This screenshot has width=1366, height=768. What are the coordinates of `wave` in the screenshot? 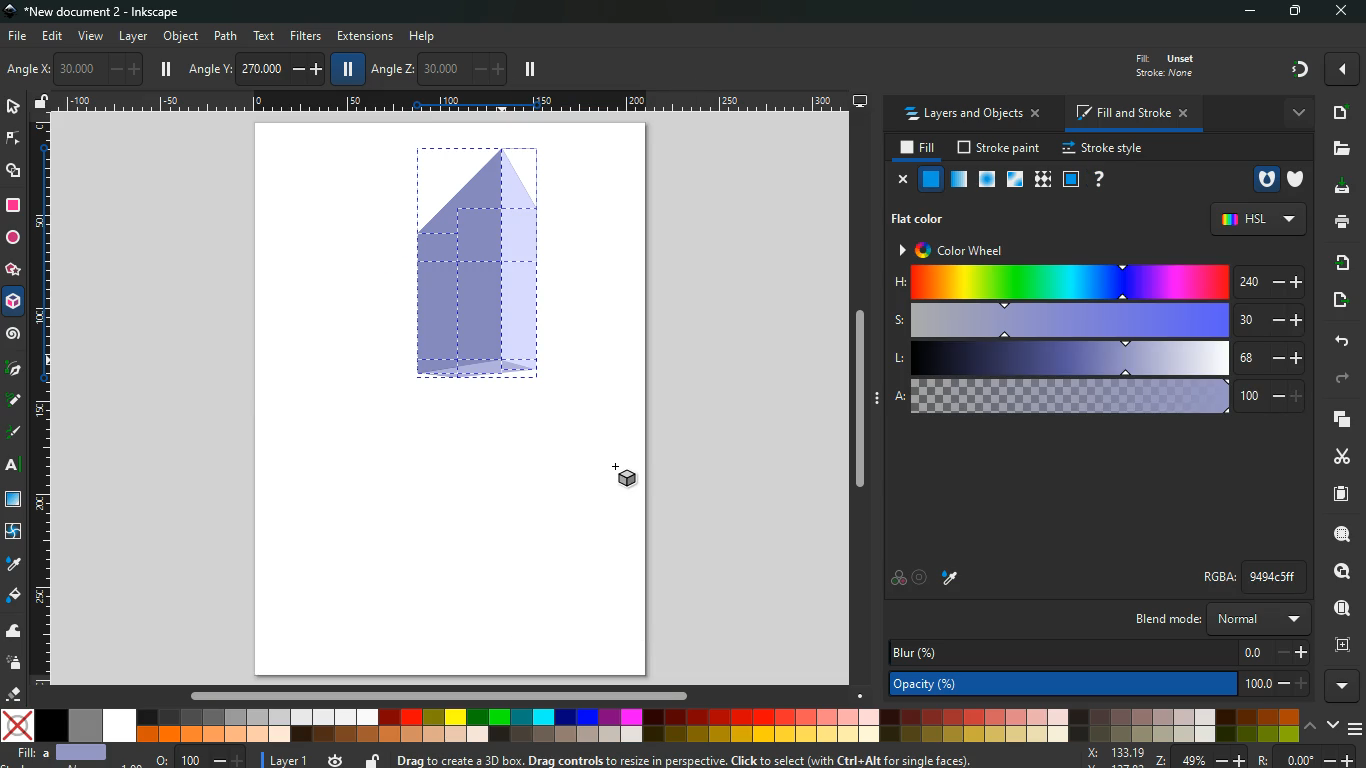 It's located at (14, 633).